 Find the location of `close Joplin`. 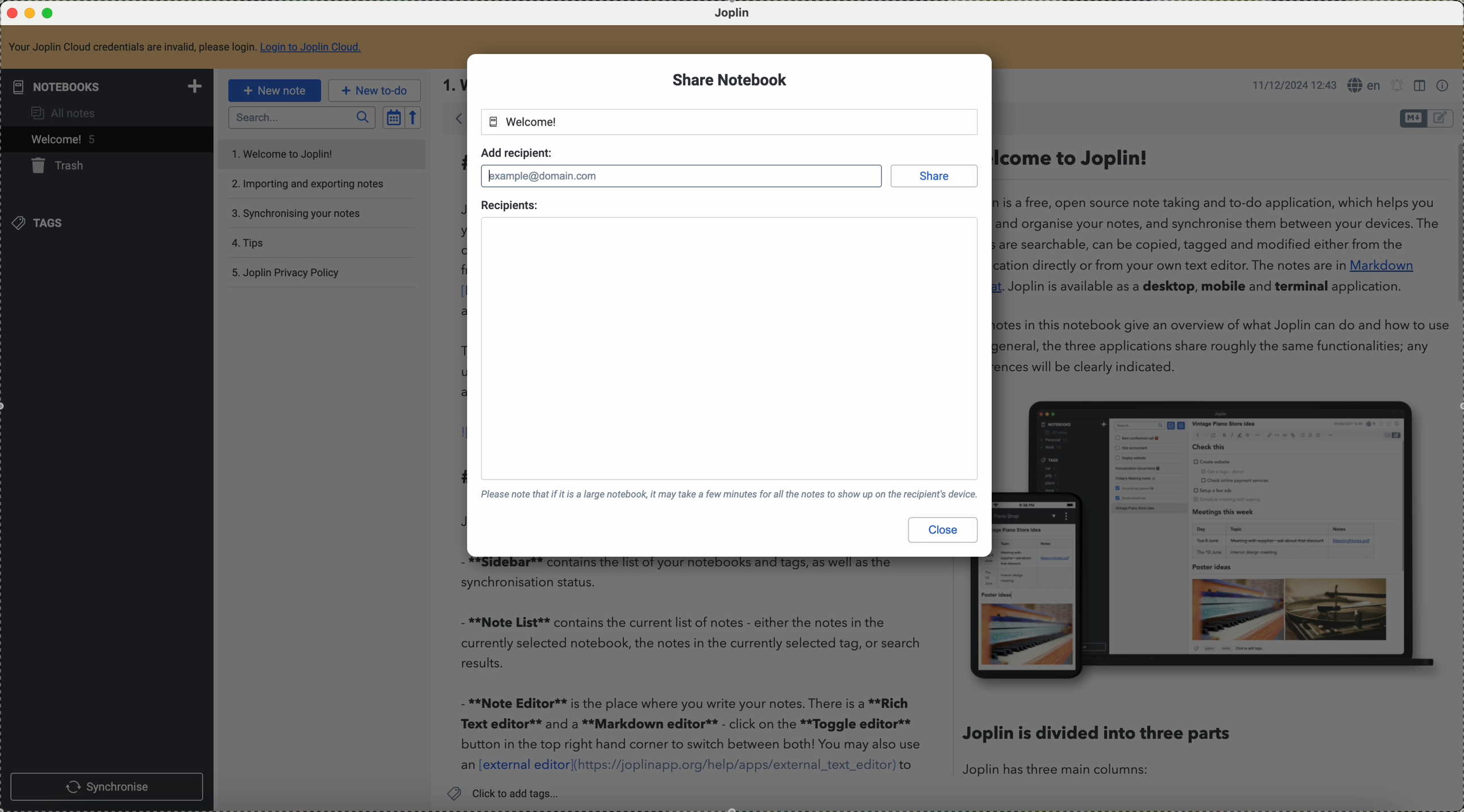

close Joplin is located at coordinates (11, 14).